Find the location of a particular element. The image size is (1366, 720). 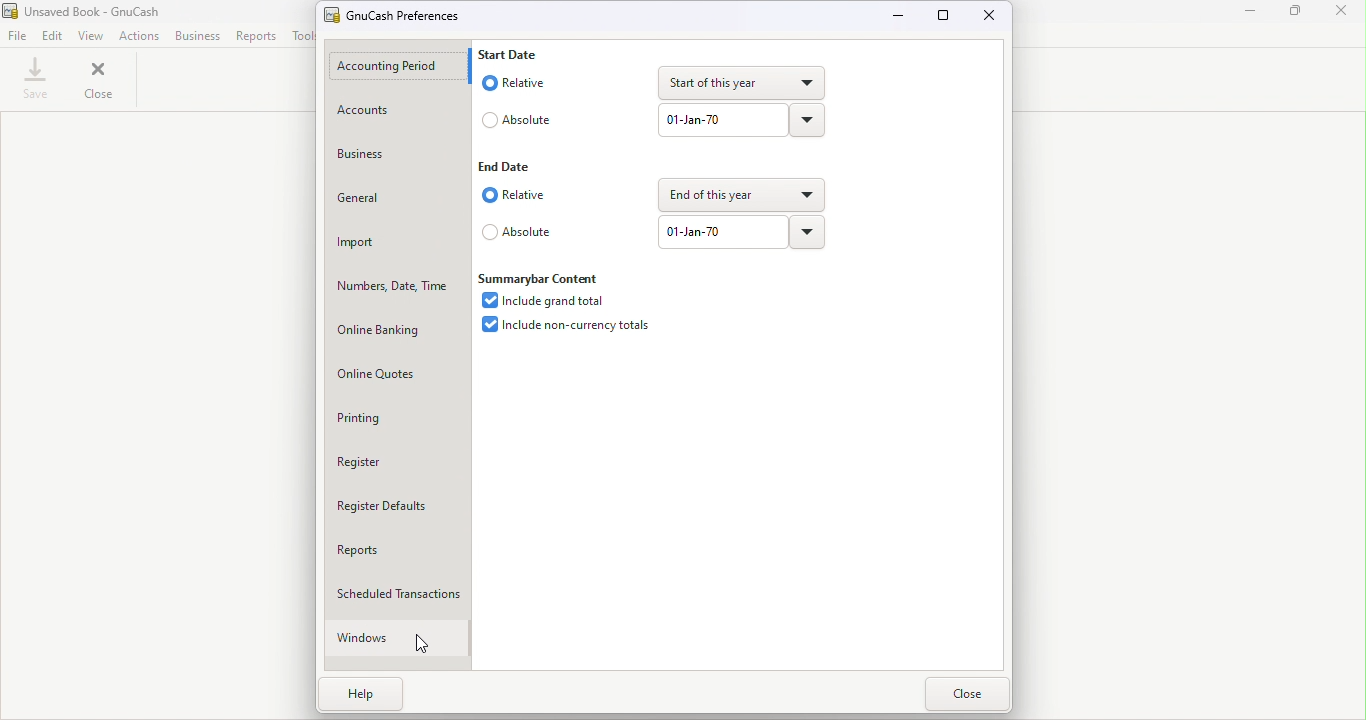

Register defaults is located at coordinates (400, 504).